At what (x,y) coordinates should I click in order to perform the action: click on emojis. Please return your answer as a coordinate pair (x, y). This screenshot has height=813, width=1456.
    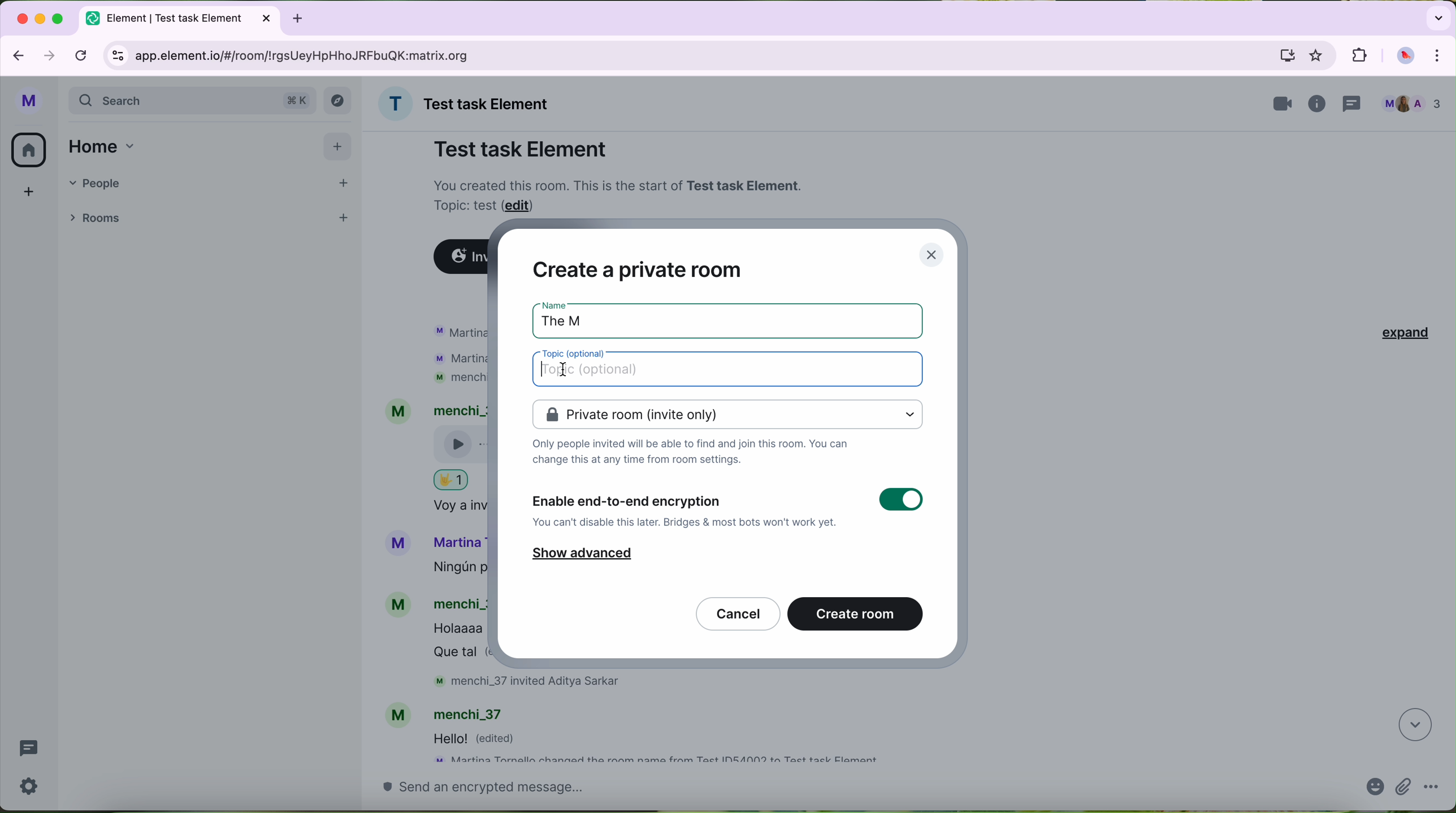
    Looking at the image, I should click on (1372, 790).